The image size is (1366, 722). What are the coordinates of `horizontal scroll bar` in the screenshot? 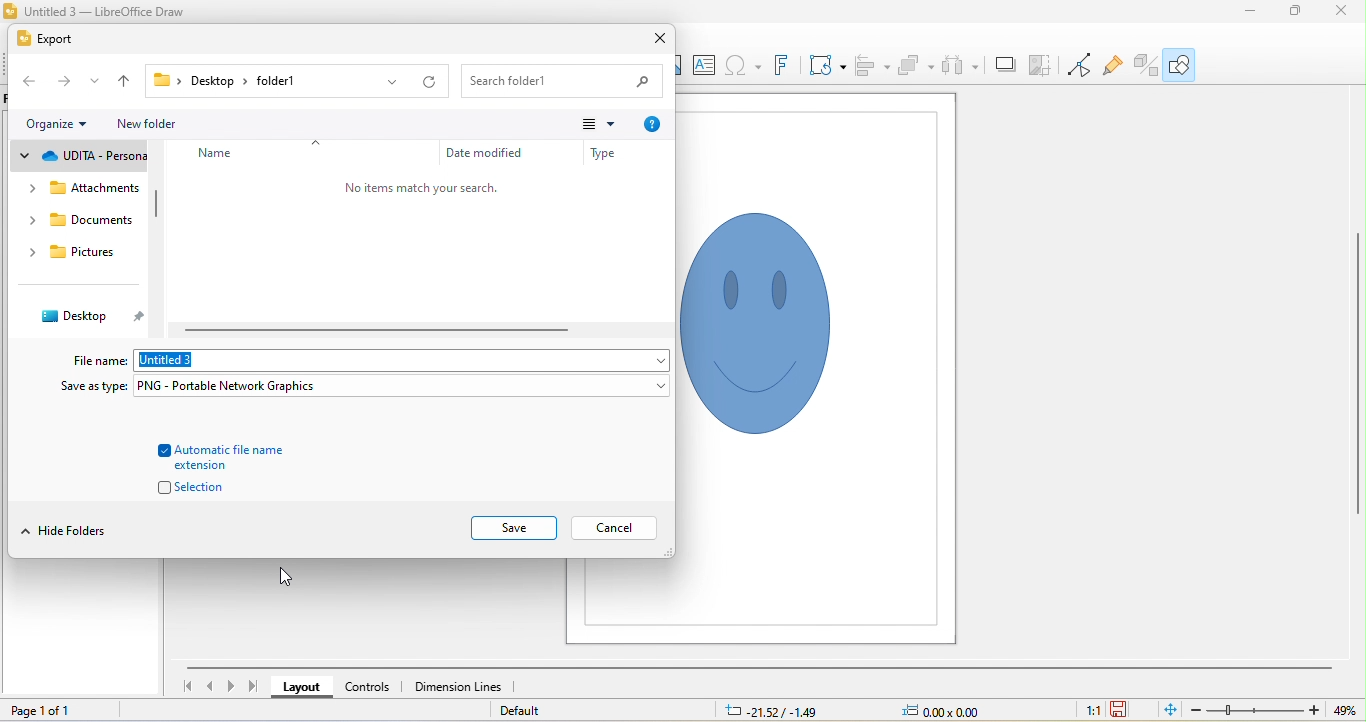 It's located at (388, 331).